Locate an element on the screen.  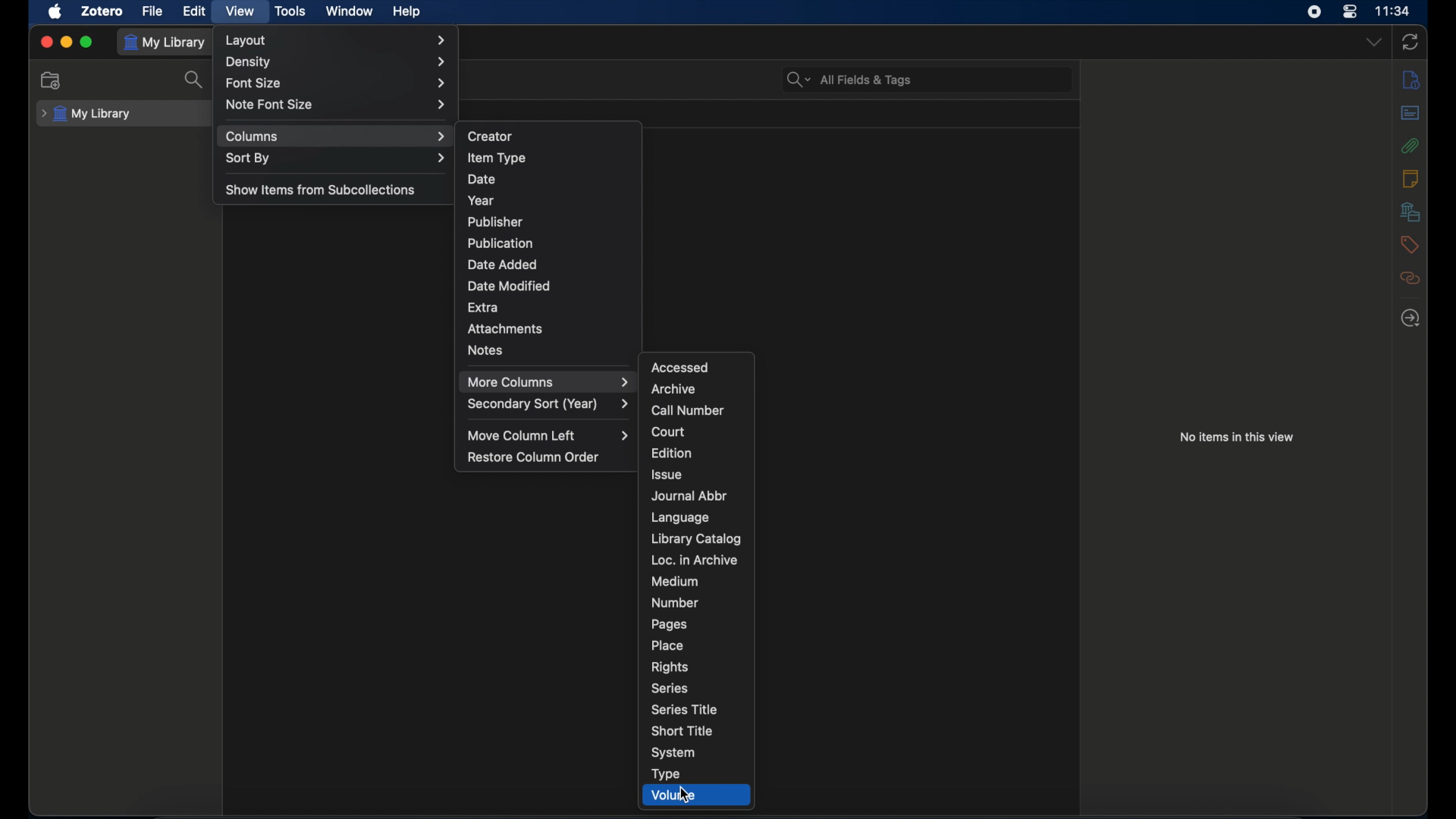
creator is located at coordinates (491, 135).